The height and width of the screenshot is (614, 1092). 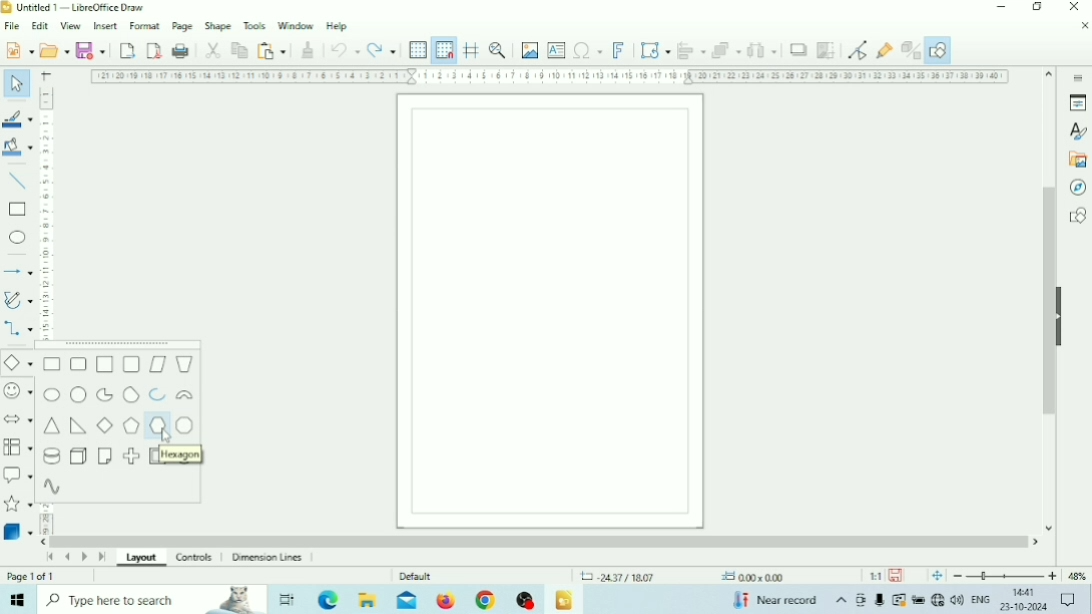 What do you see at coordinates (218, 26) in the screenshot?
I see `Shape` at bounding box center [218, 26].